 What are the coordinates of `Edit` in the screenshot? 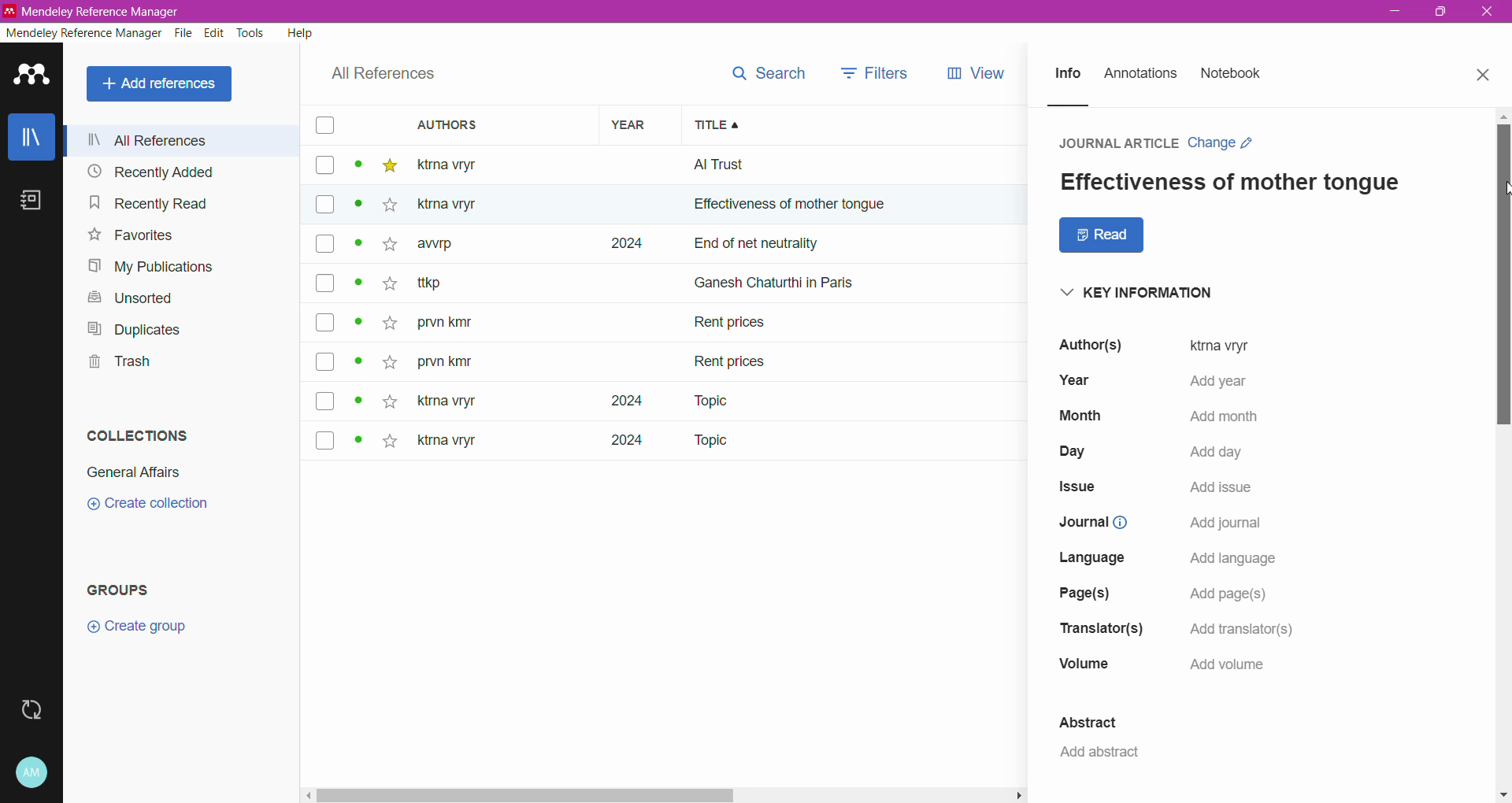 It's located at (216, 33).